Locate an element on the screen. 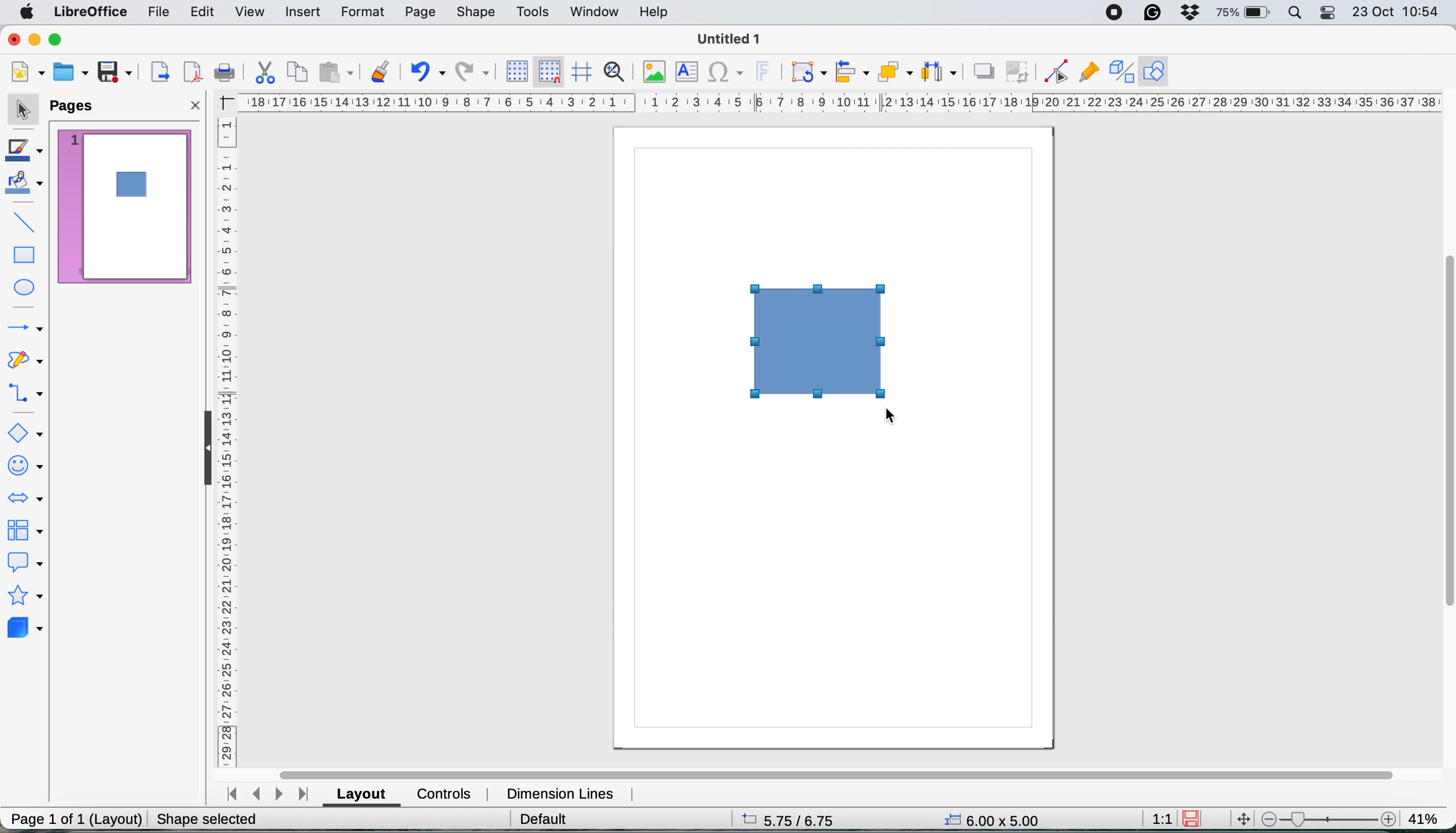 The width and height of the screenshot is (1456, 833). connectors is located at coordinates (26, 395).